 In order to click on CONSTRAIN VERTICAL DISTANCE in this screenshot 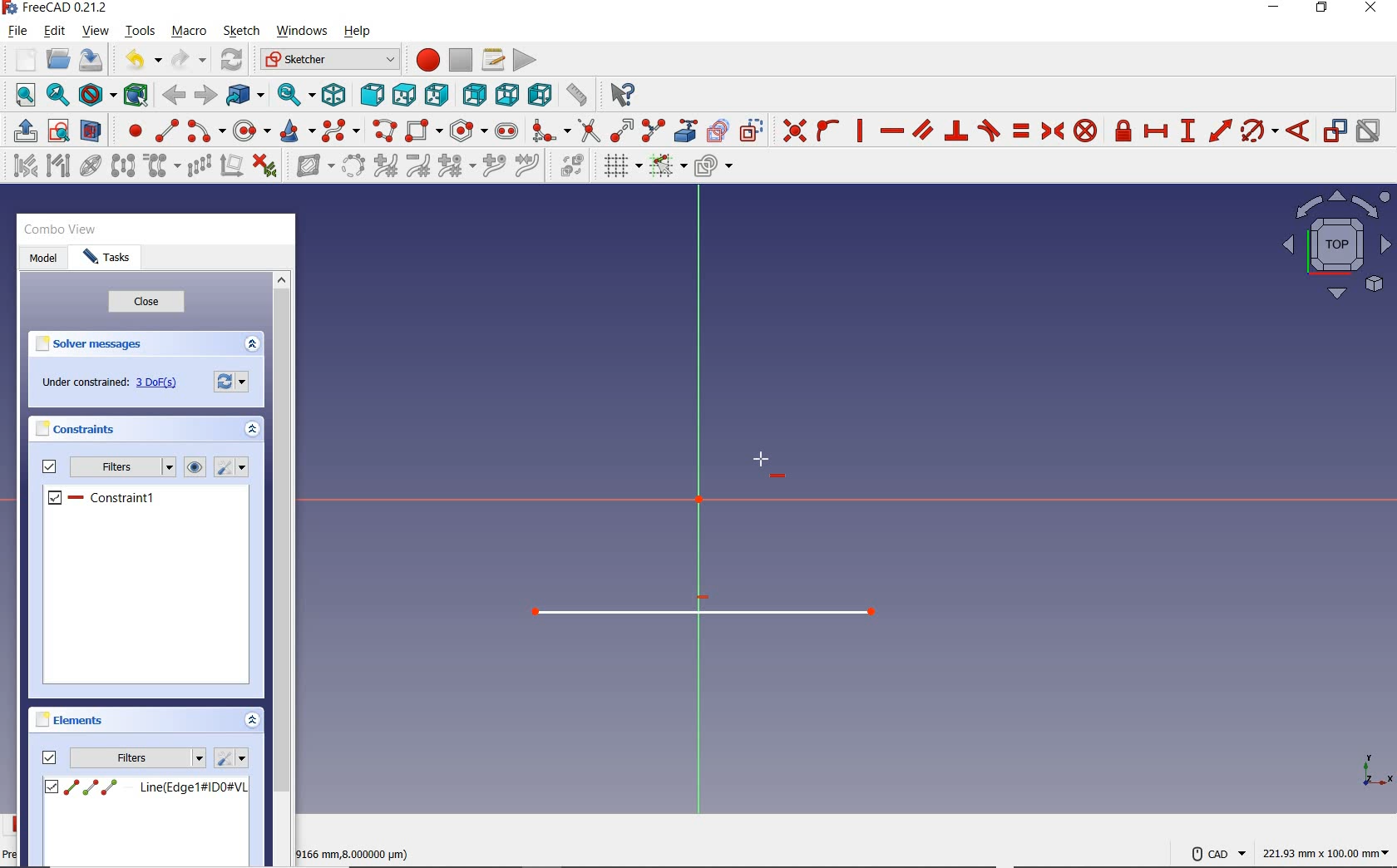, I will do `click(1187, 129)`.